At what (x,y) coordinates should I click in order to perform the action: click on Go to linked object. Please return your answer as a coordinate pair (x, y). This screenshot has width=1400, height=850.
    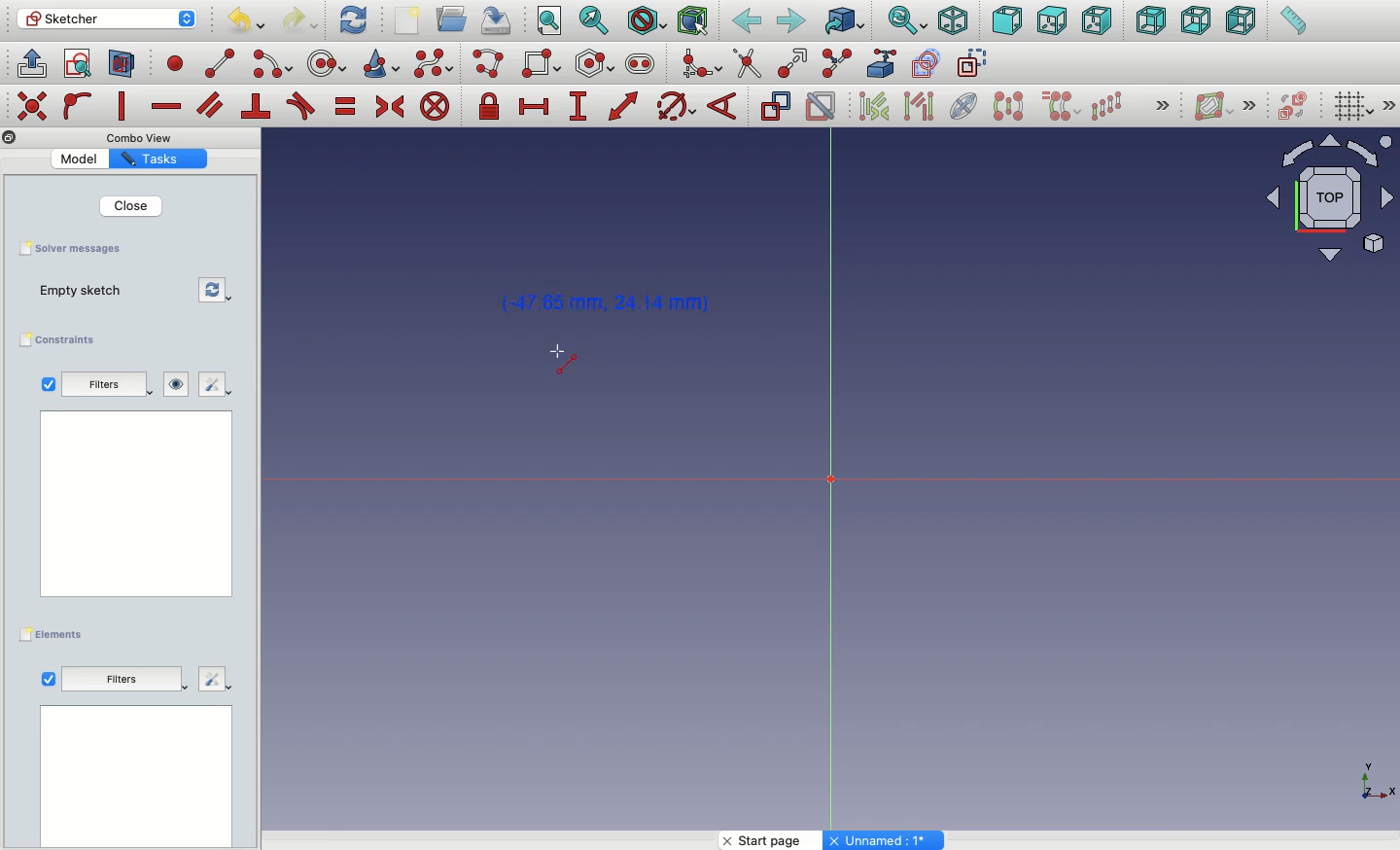
    Looking at the image, I should click on (844, 20).